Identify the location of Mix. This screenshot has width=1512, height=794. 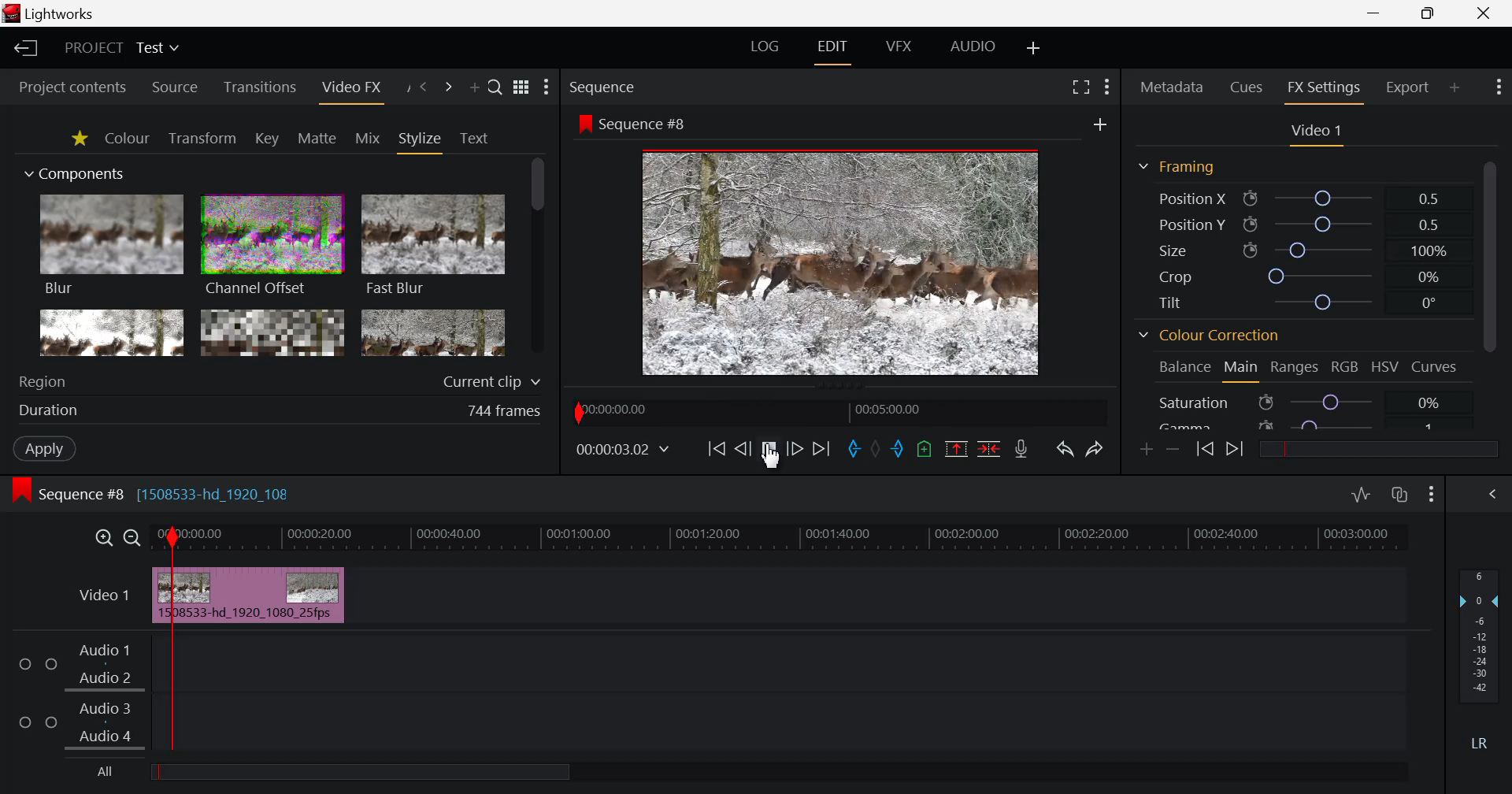
(368, 138).